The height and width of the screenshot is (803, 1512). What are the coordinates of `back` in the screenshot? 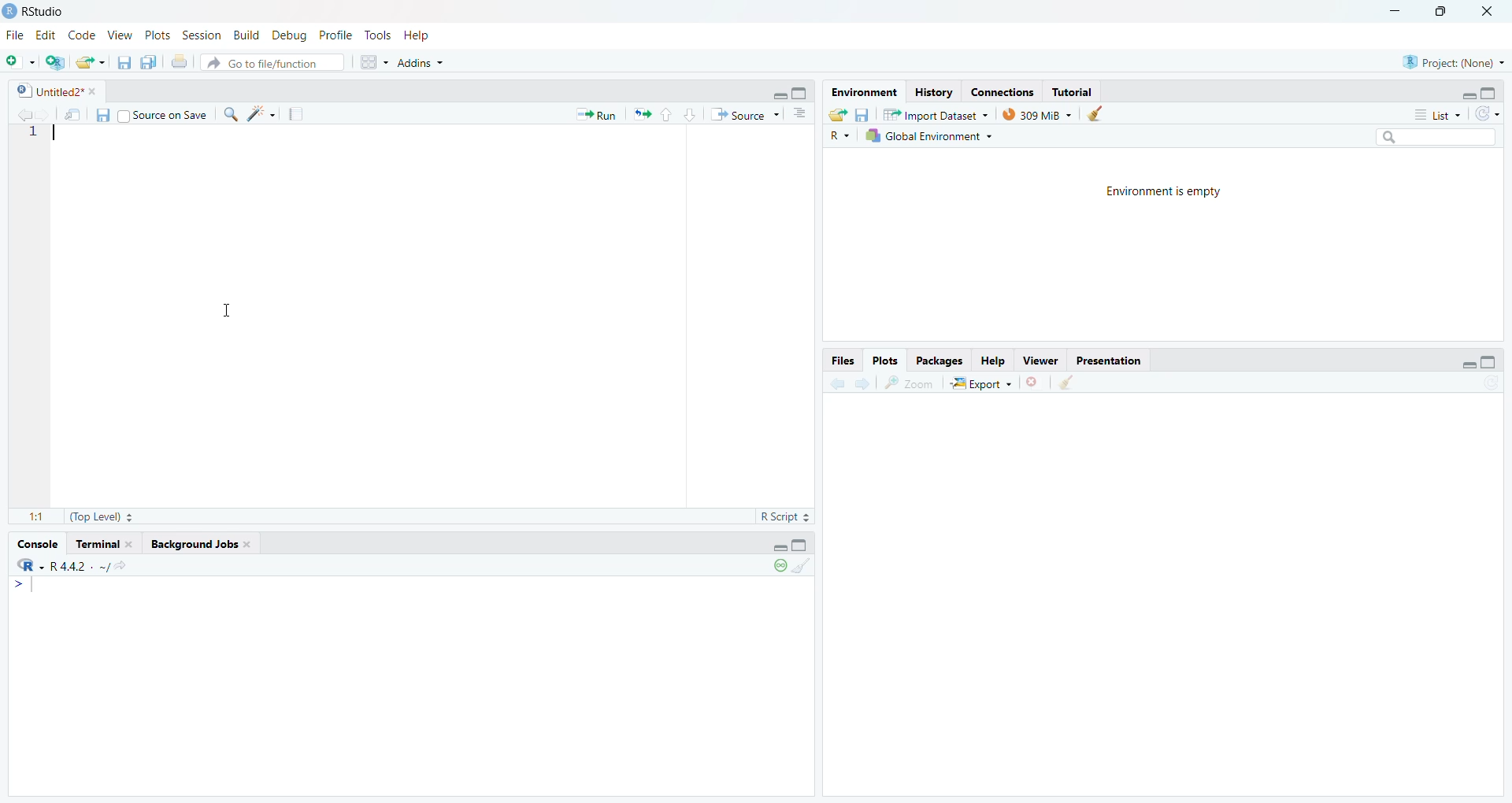 It's located at (834, 386).